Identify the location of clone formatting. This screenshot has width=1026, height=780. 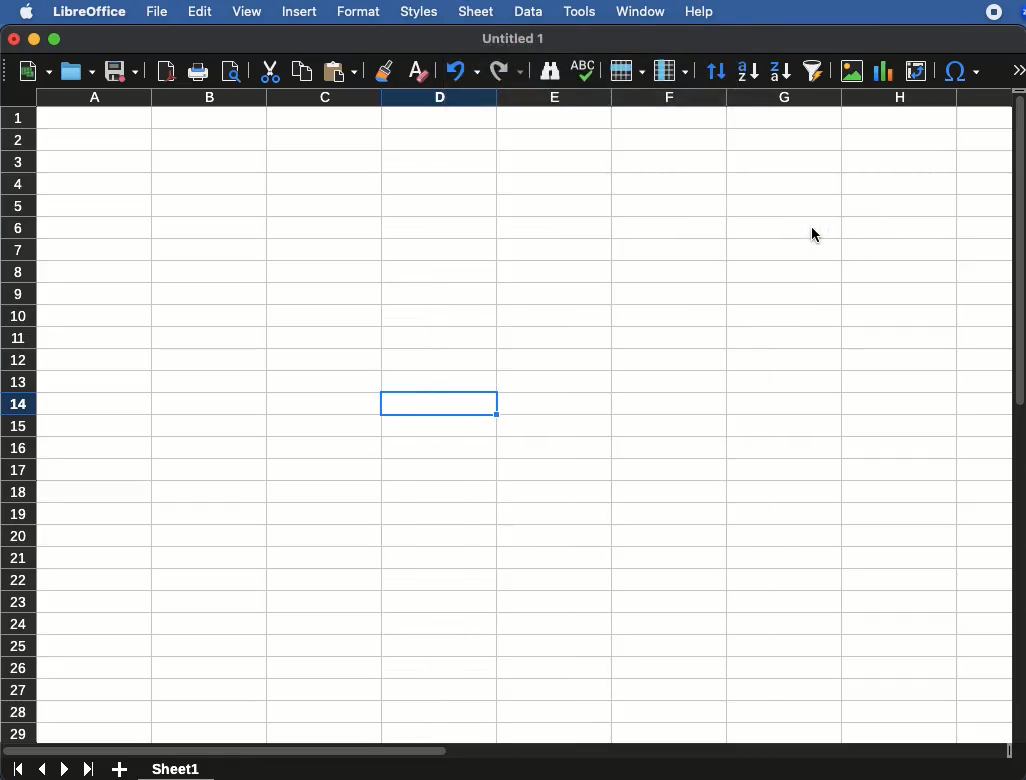
(385, 70).